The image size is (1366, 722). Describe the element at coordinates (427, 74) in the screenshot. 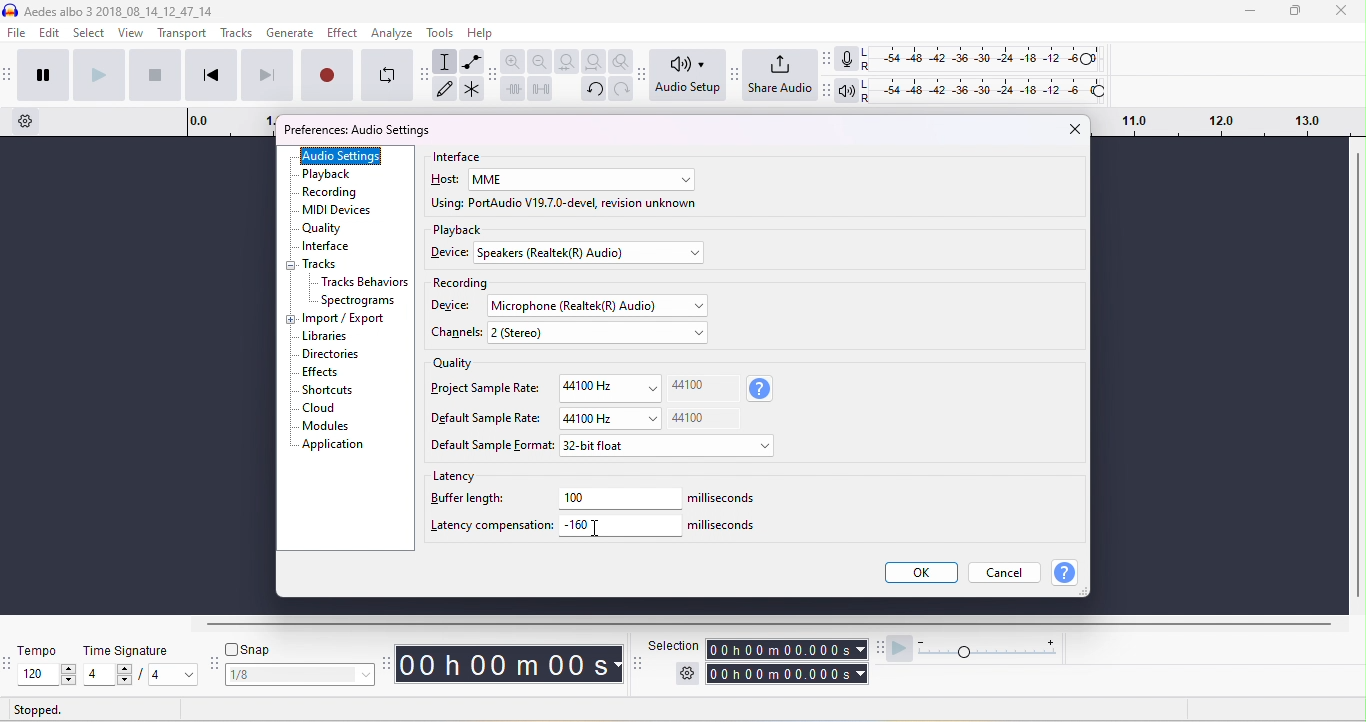

I see `audacity tools toolbar` at that location.